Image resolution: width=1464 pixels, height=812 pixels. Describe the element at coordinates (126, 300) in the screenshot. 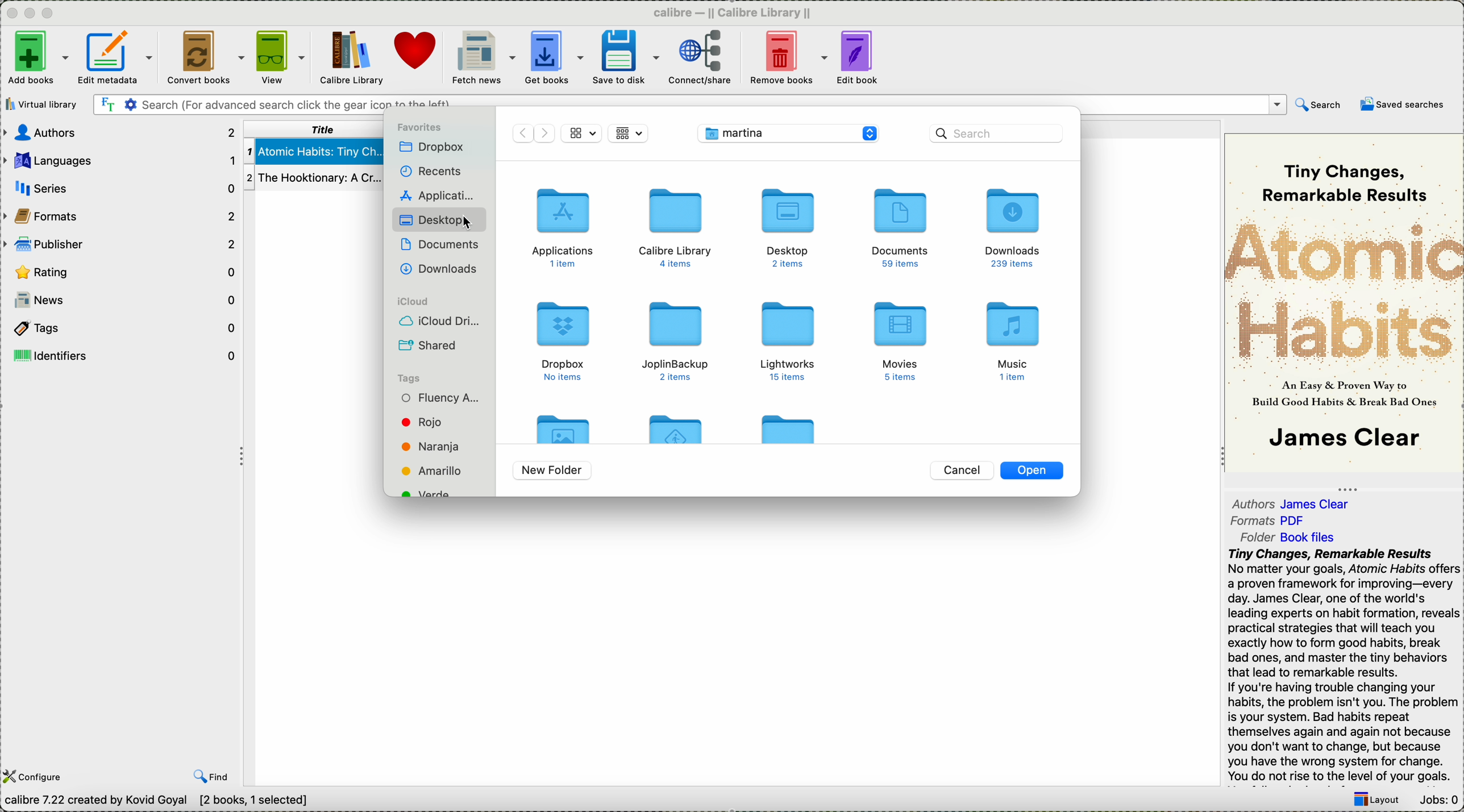

I see `news` at that location.